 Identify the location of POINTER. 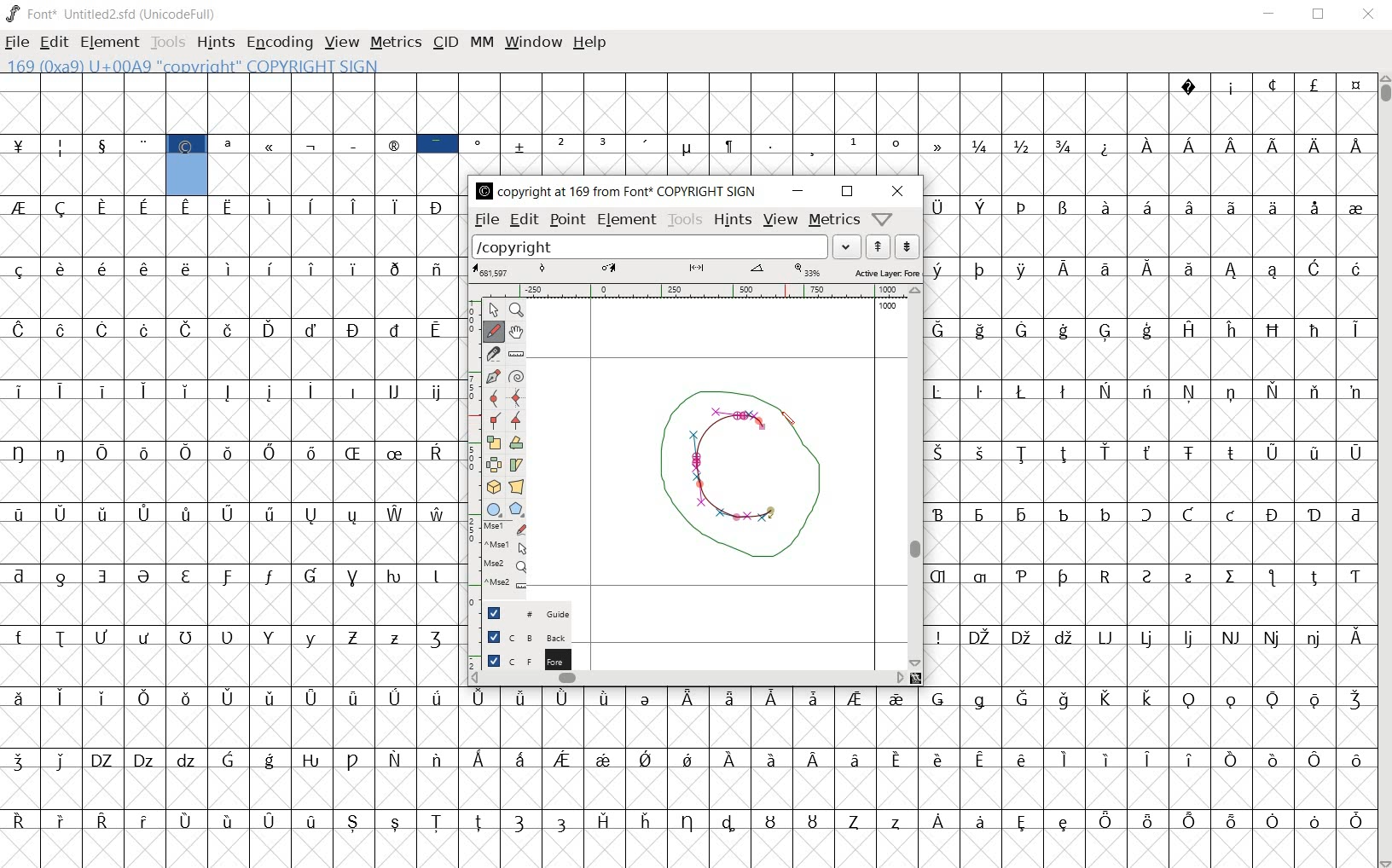
(493, 309).